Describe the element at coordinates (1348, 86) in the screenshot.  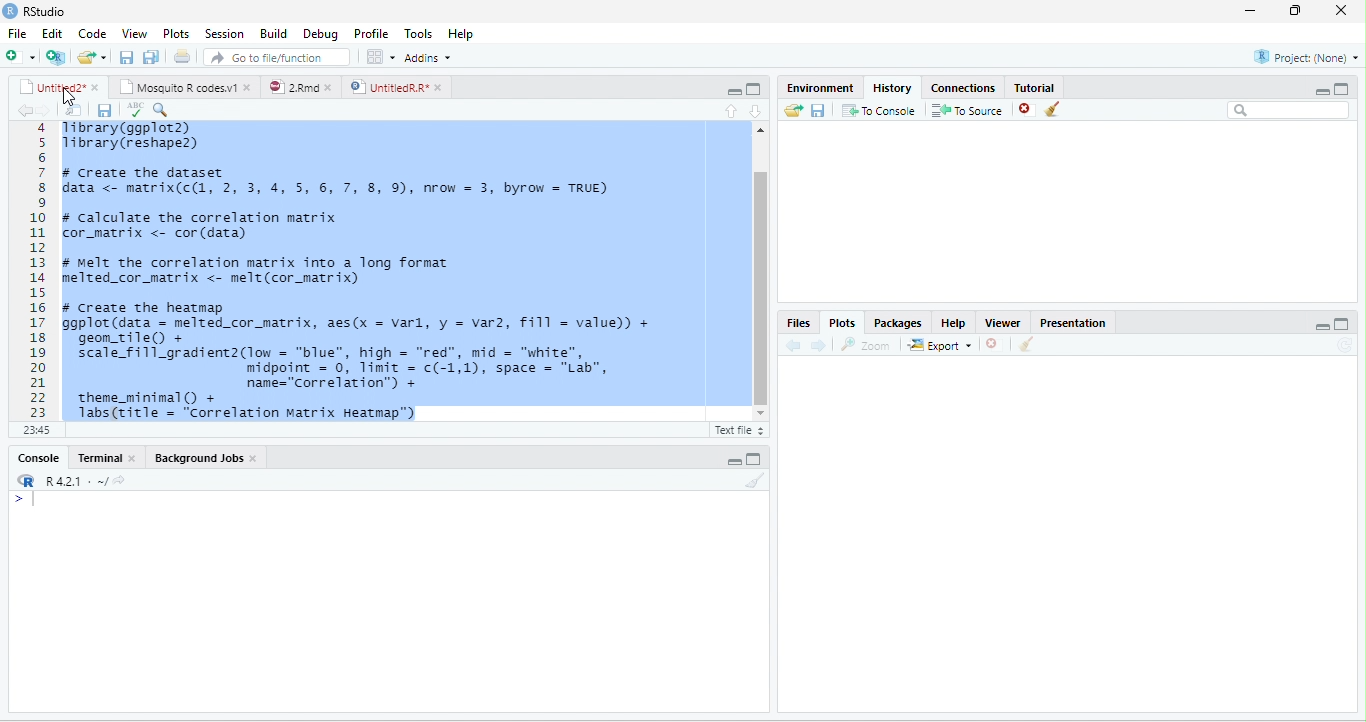
I see `aximize ` at that location.